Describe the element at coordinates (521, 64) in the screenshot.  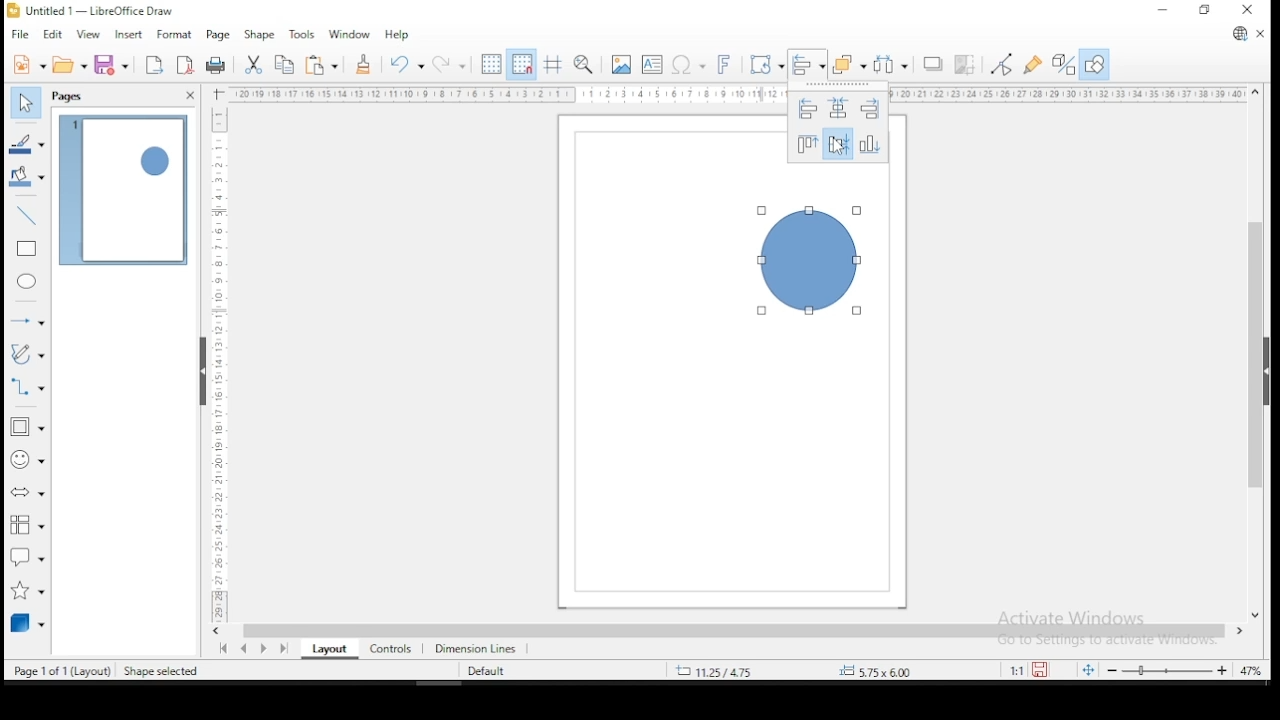
I see `snap to grids` at that location.